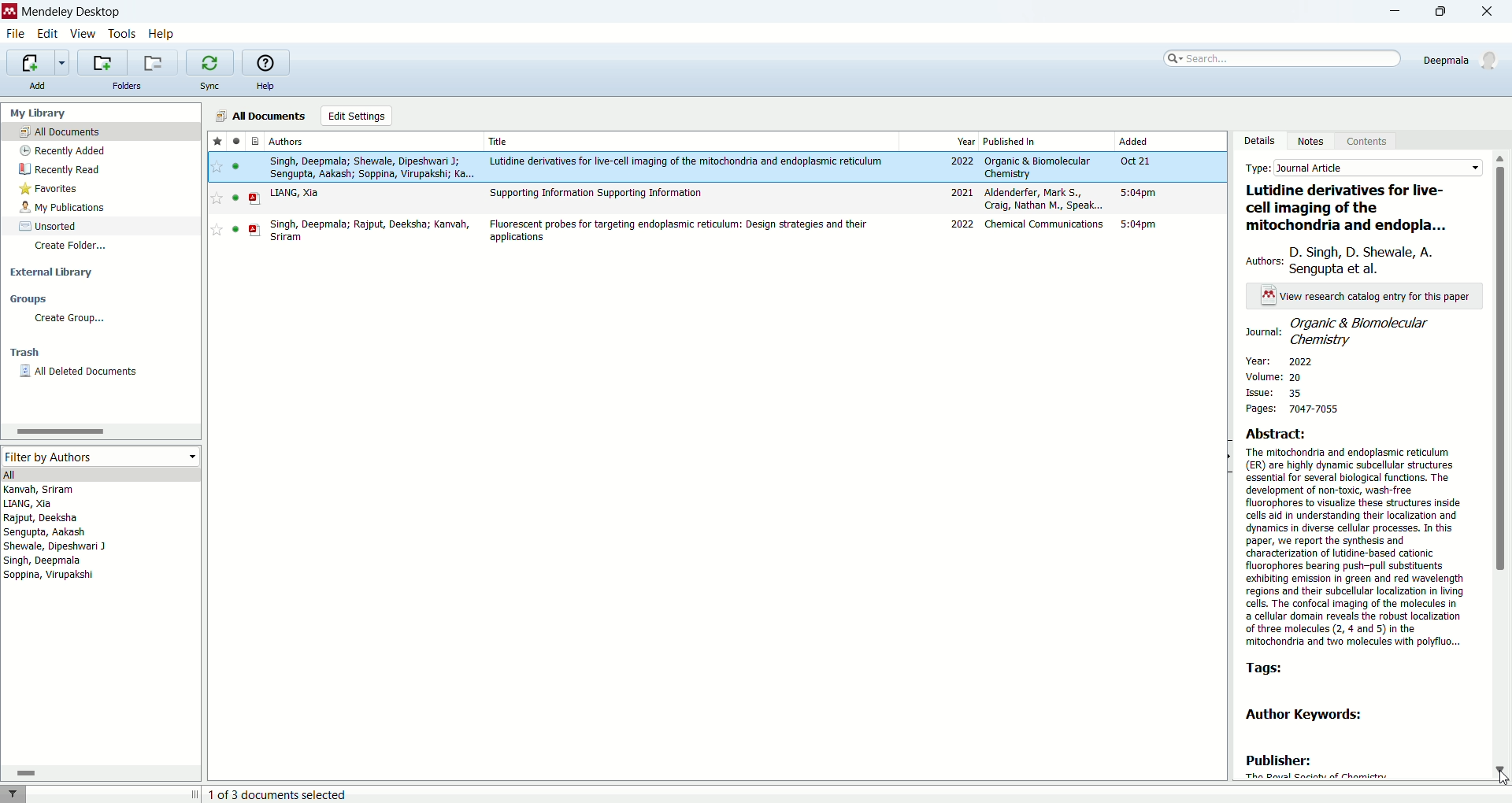  Describe the element at coordinates (72, 14) in the screenshot. I see `mendeley desktop` at that location.